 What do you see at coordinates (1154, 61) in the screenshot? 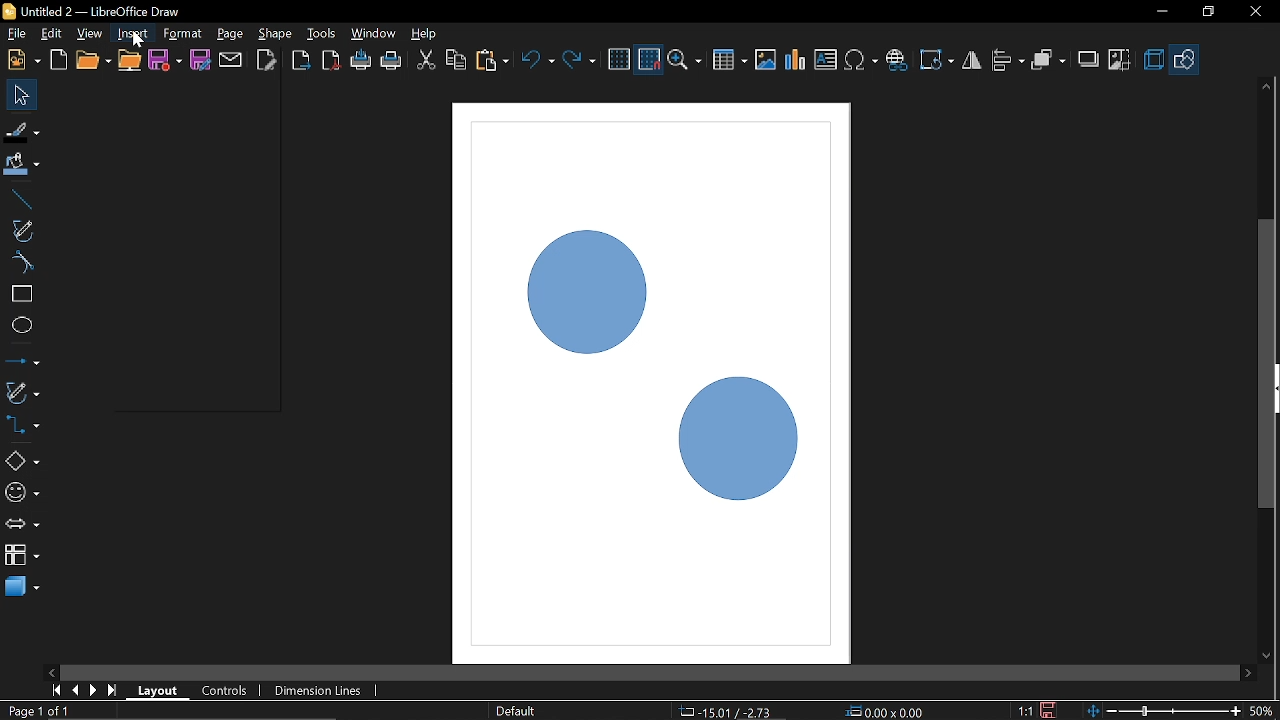
I see `3D` at bounding box center [1154, 61].